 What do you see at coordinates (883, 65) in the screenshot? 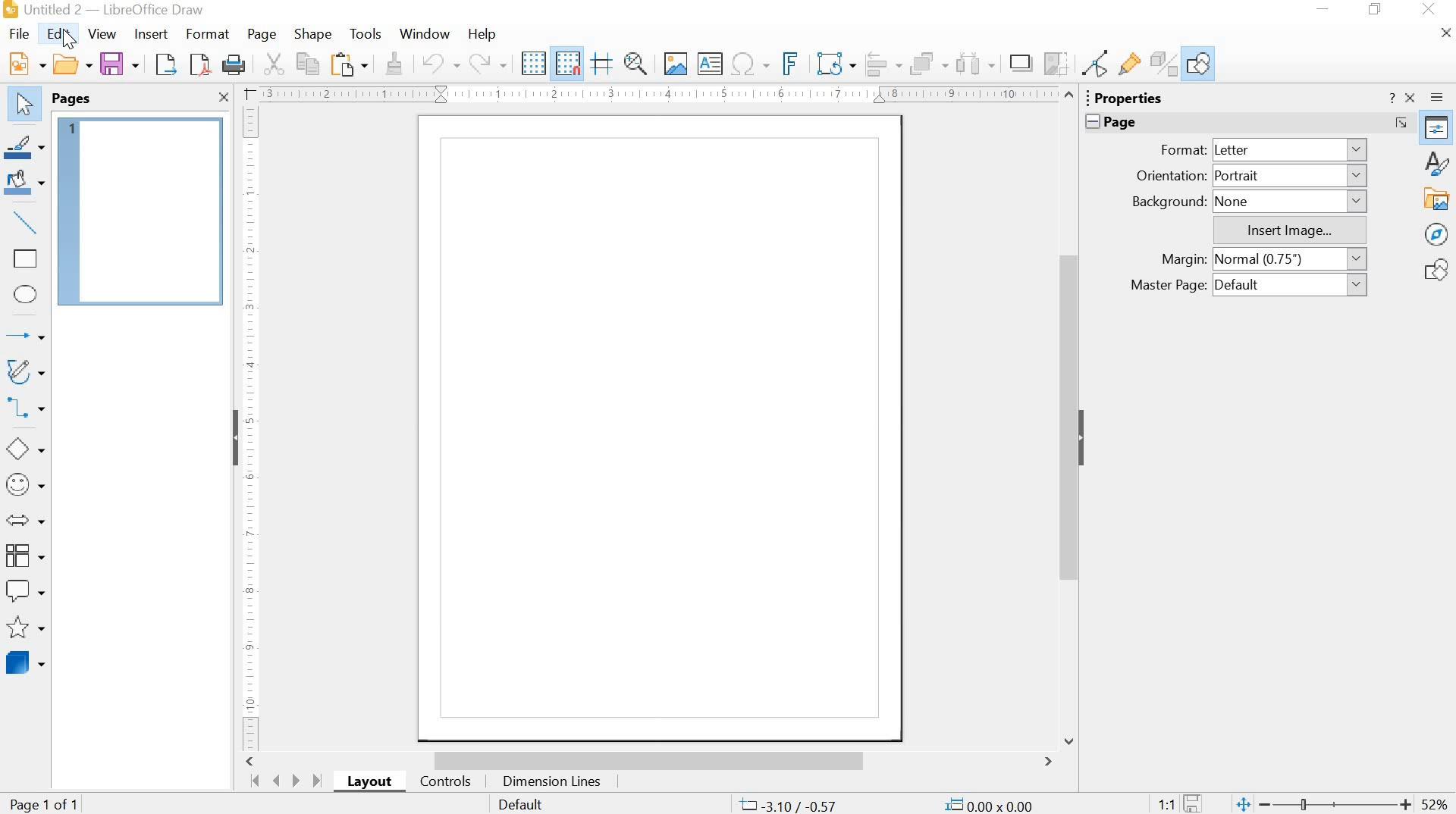
I see `Align Objects` at bounding box center [883, 65].